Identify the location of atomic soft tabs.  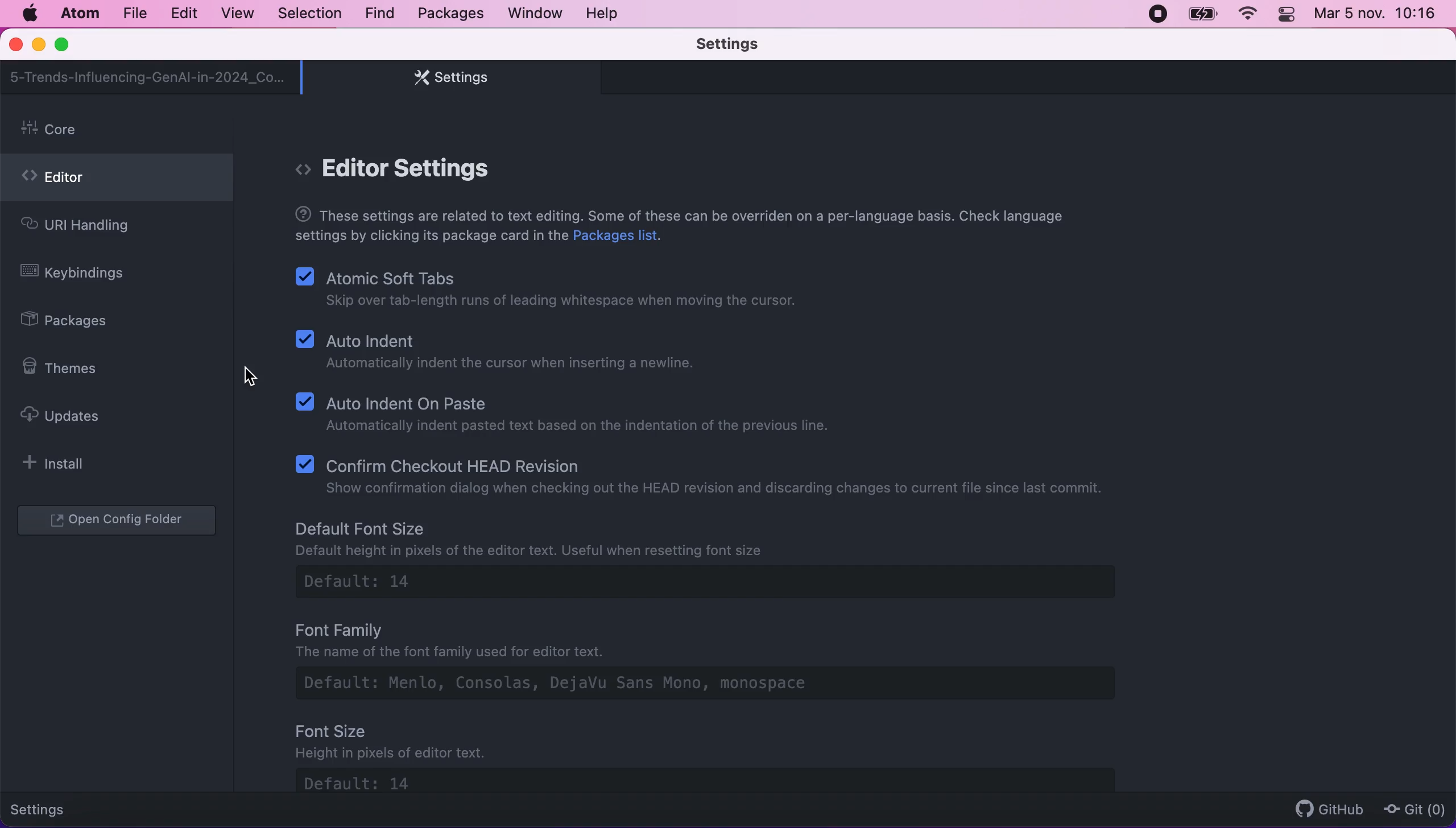
(551, 291).